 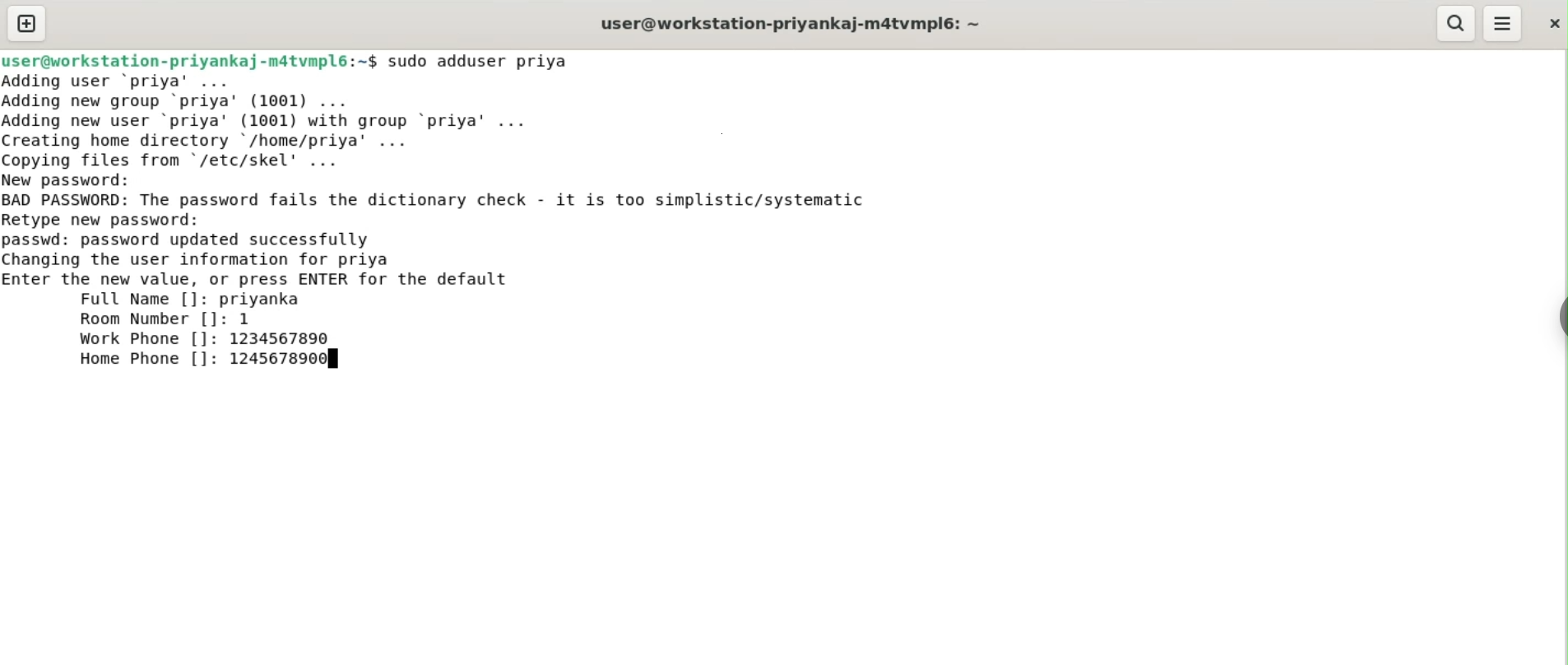 What do you see at coordinates (208, 339) in the screenshot?
I see `Work Phone []: 1234567890` at bounding box center [208, 339].